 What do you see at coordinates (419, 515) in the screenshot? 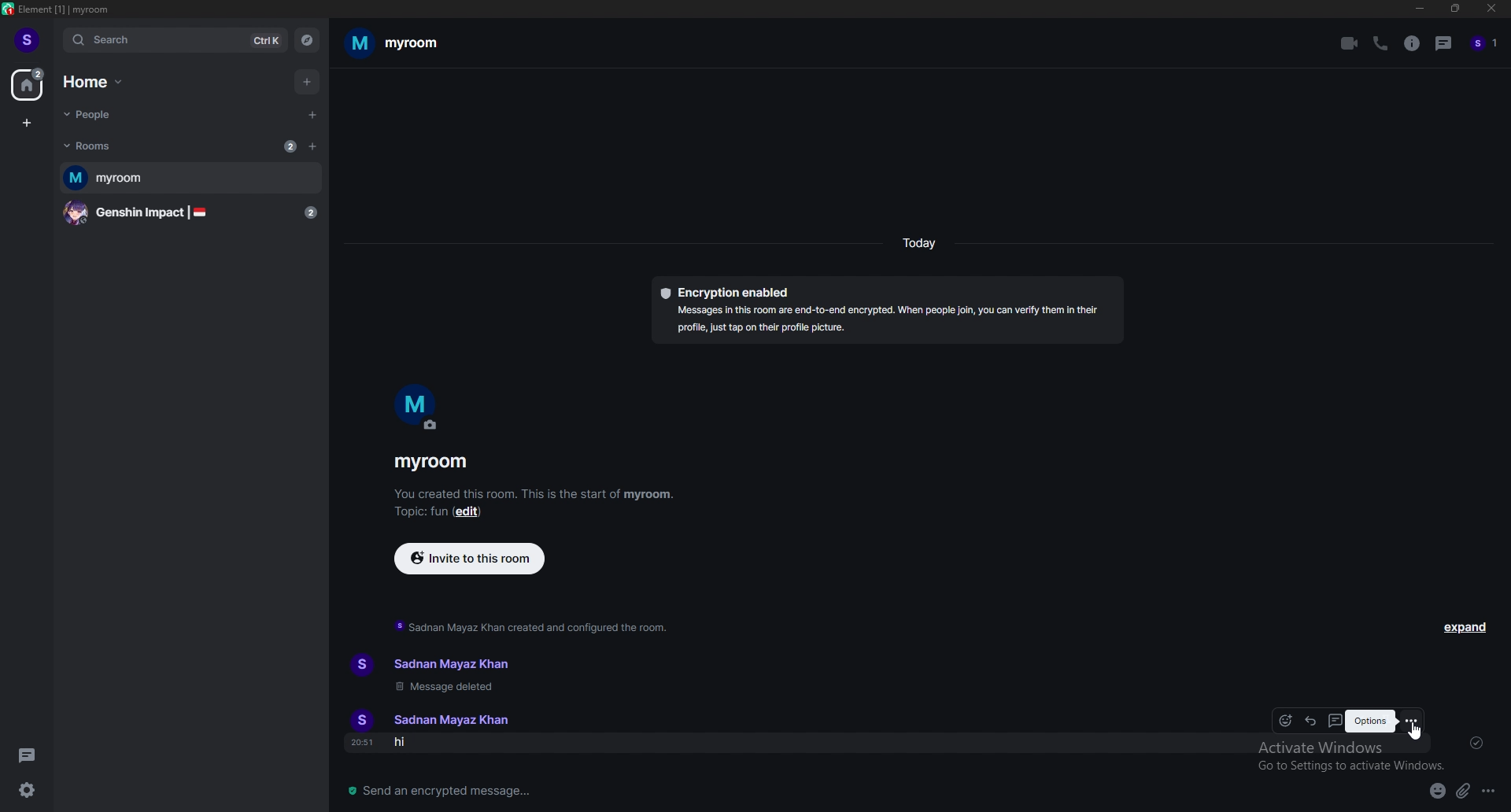
I see `topic fun` at bounding box center [419, 515].